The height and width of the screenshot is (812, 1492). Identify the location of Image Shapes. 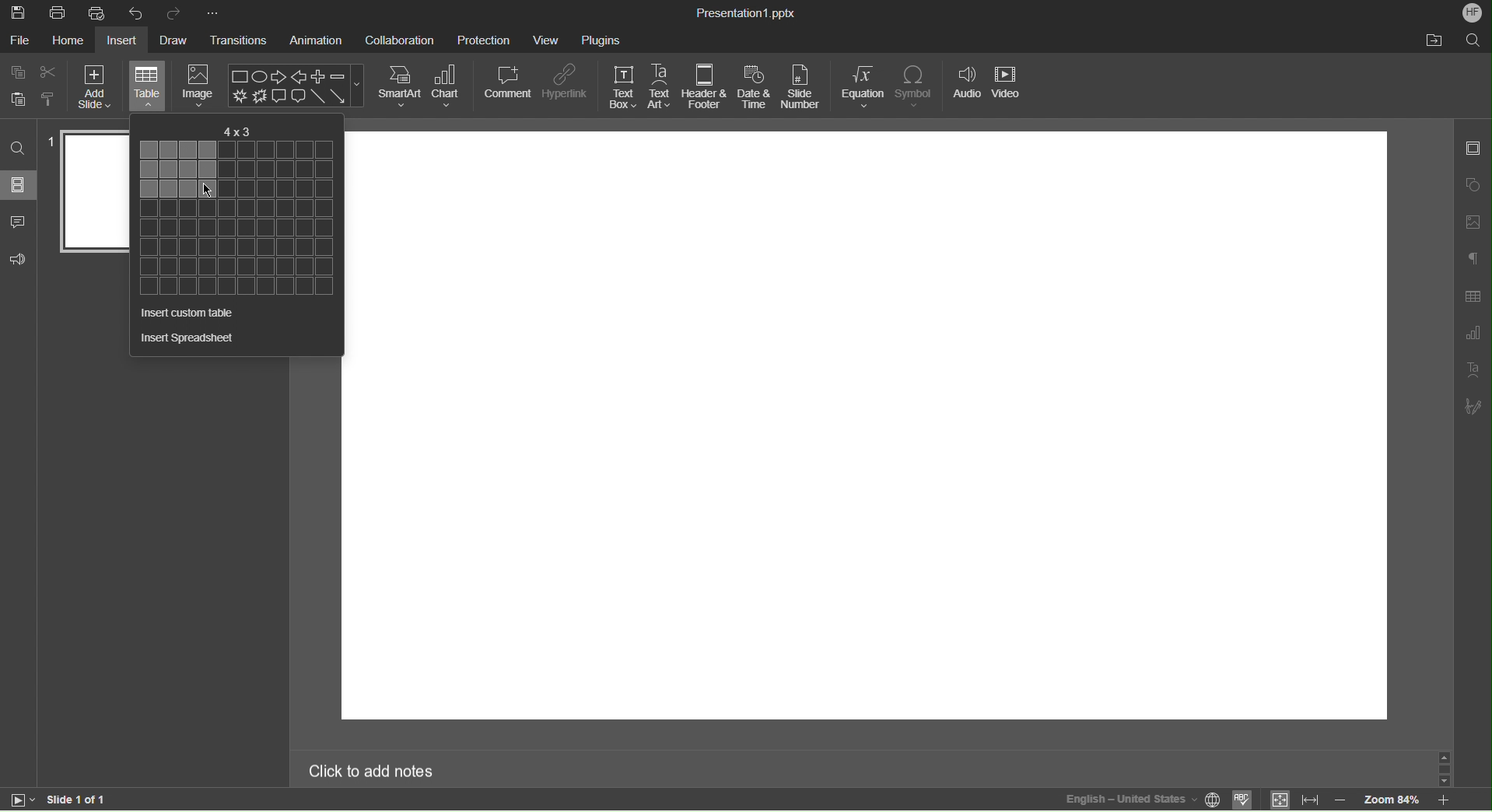
(297, 86).